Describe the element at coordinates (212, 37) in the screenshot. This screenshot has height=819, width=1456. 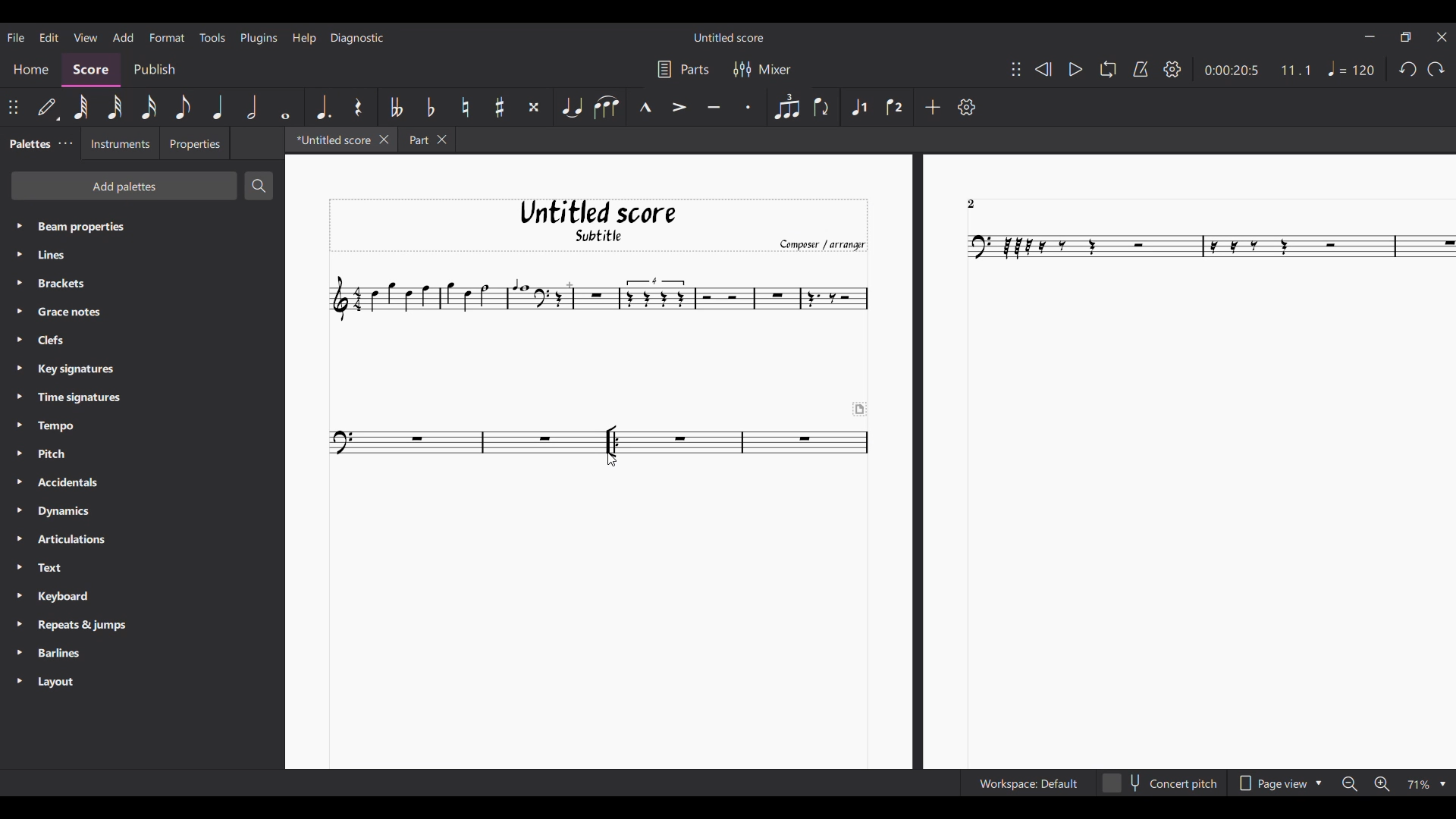
I see `Tools menu` at that location.